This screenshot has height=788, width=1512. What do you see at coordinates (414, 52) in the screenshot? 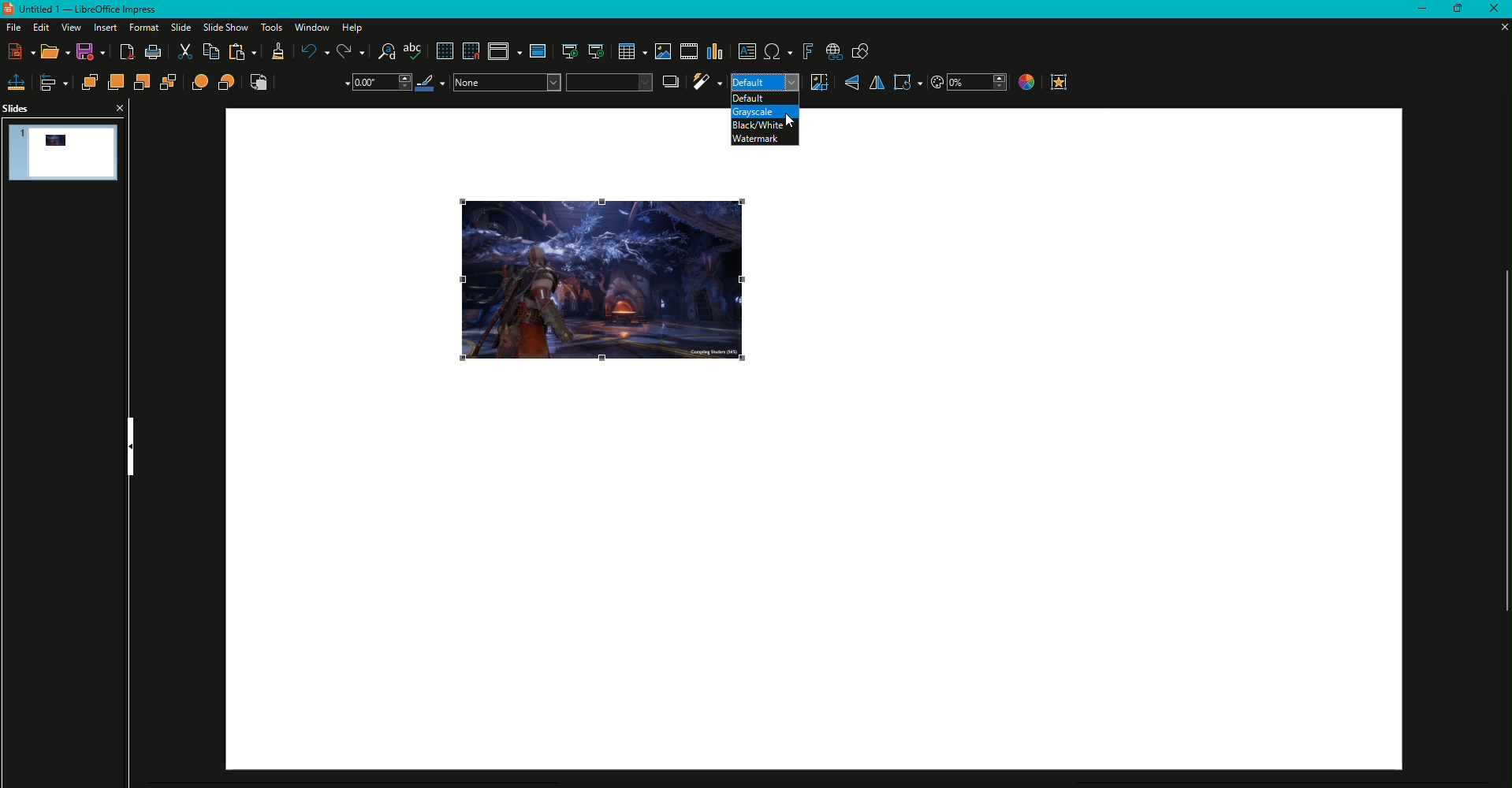
I see `Spelling` at bounding box center [414, 52].